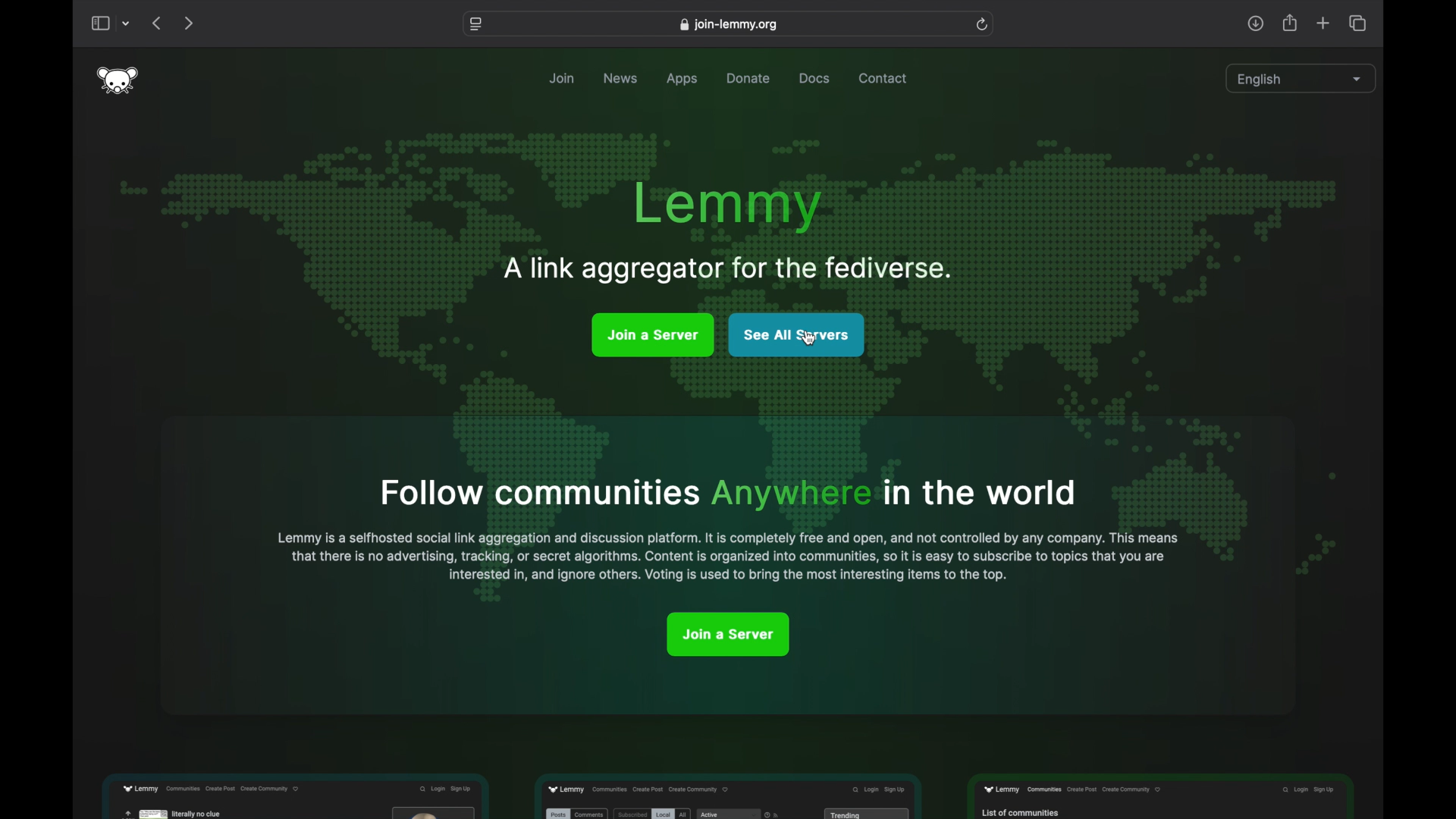 The height and width of the screenshot is (819, 1456). I want to click on see all servers, so click(796, 336).